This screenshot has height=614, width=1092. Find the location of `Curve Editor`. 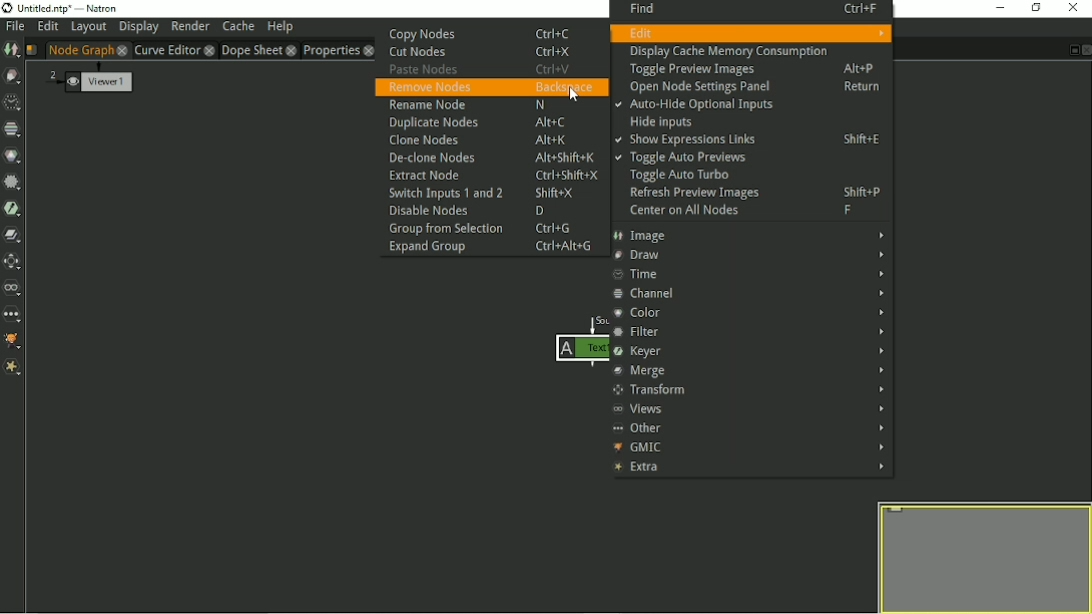

Curve Editor is located at coordinates (166, 49).